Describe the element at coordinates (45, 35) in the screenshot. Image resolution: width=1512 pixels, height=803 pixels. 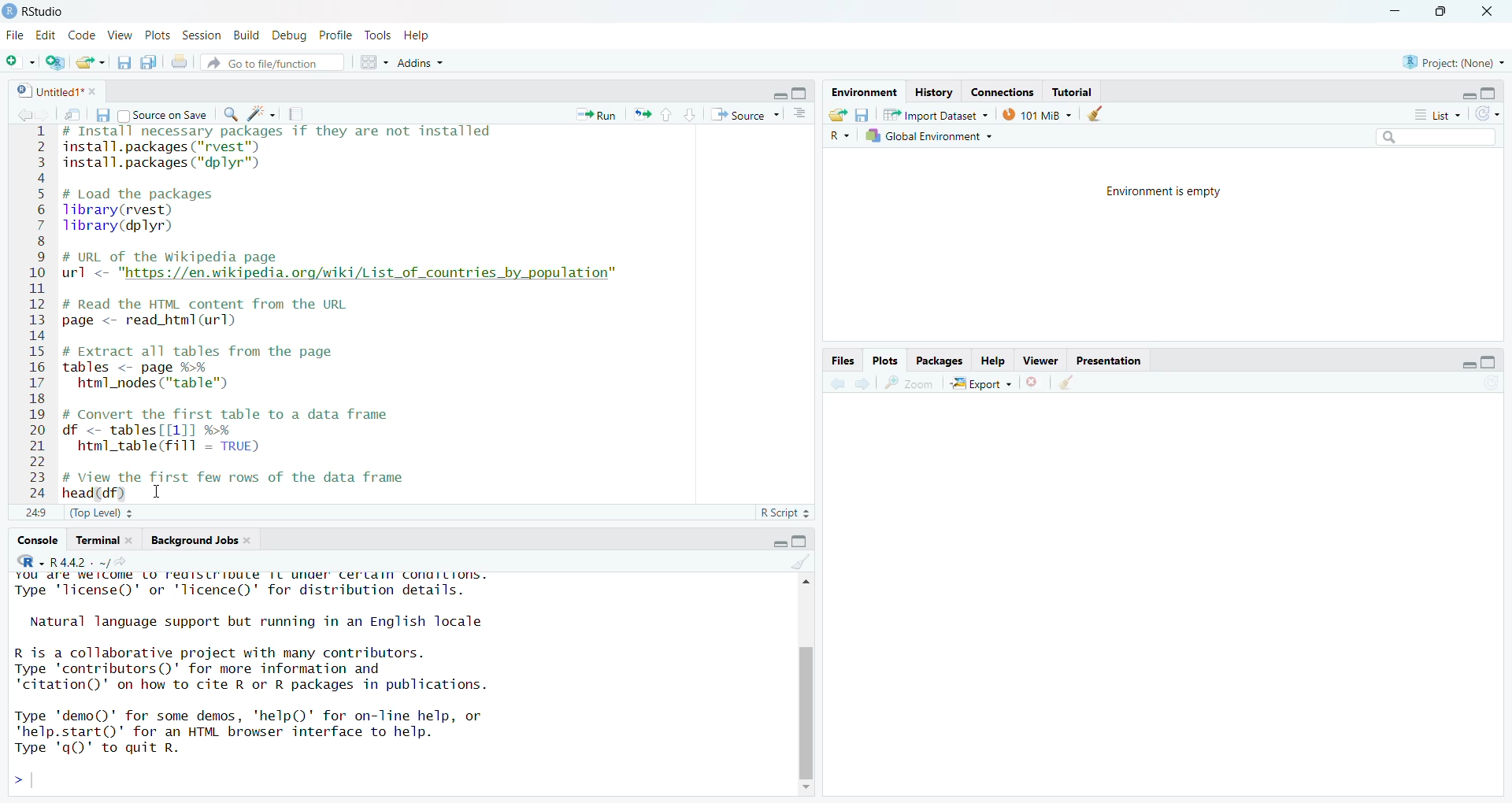
I see `Edit` at that location.